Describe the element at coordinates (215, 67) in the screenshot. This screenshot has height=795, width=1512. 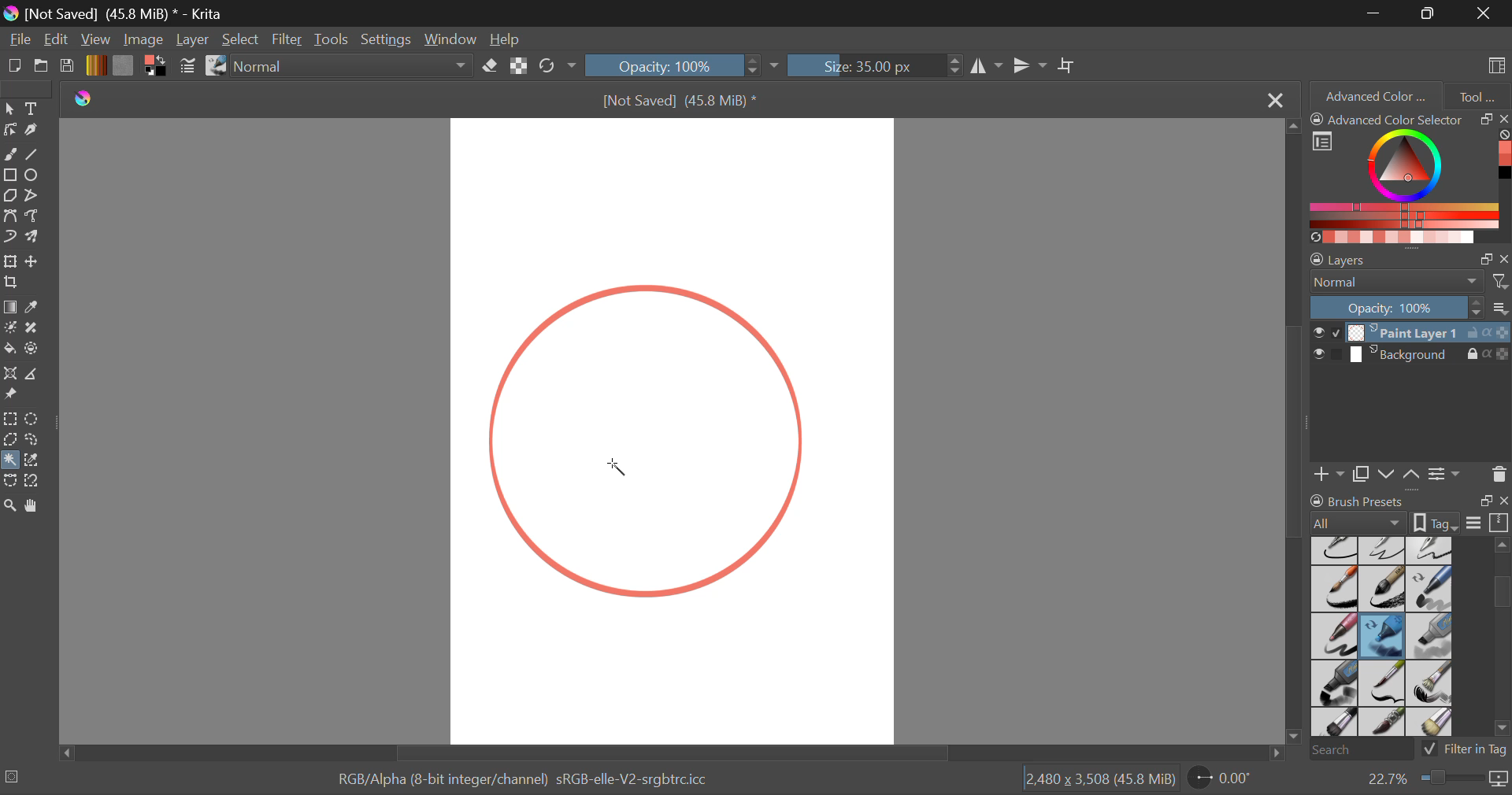
I see `Stroke Type` at that location.